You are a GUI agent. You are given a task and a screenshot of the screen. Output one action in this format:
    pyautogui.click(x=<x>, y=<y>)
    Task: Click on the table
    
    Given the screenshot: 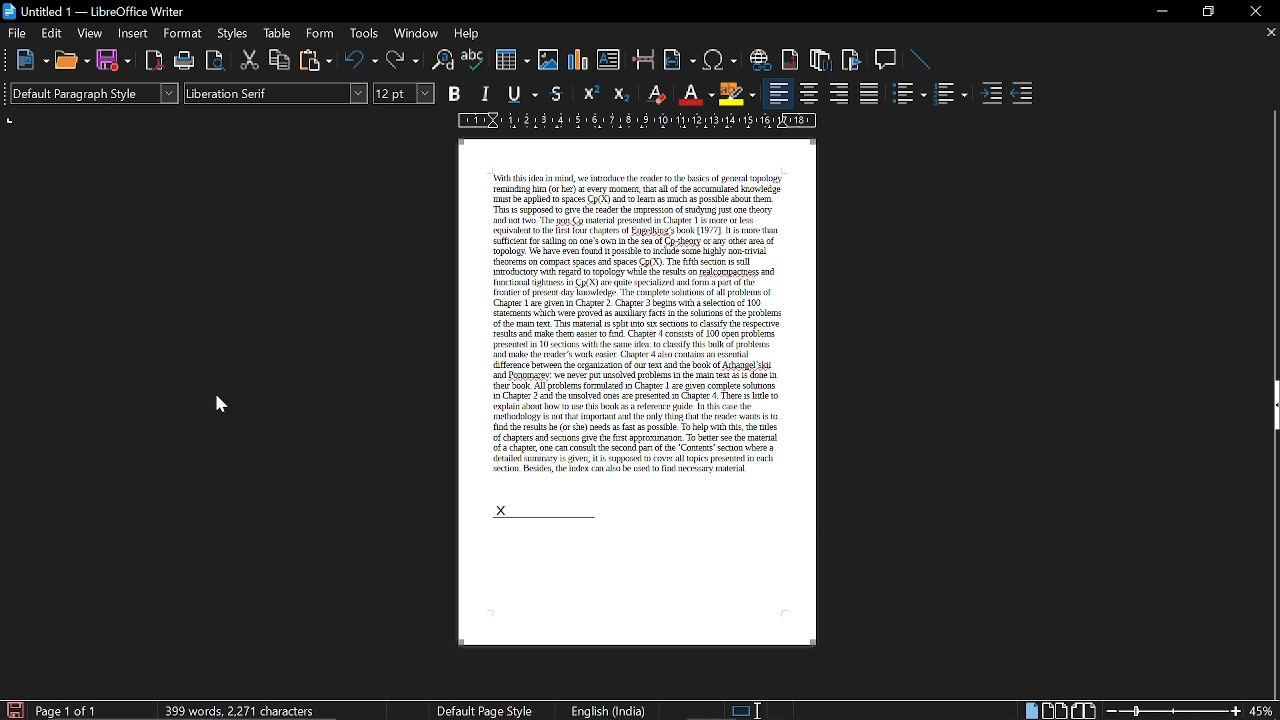 What is the action you would take?
    pyautogui.click(x=278, y=35)
    